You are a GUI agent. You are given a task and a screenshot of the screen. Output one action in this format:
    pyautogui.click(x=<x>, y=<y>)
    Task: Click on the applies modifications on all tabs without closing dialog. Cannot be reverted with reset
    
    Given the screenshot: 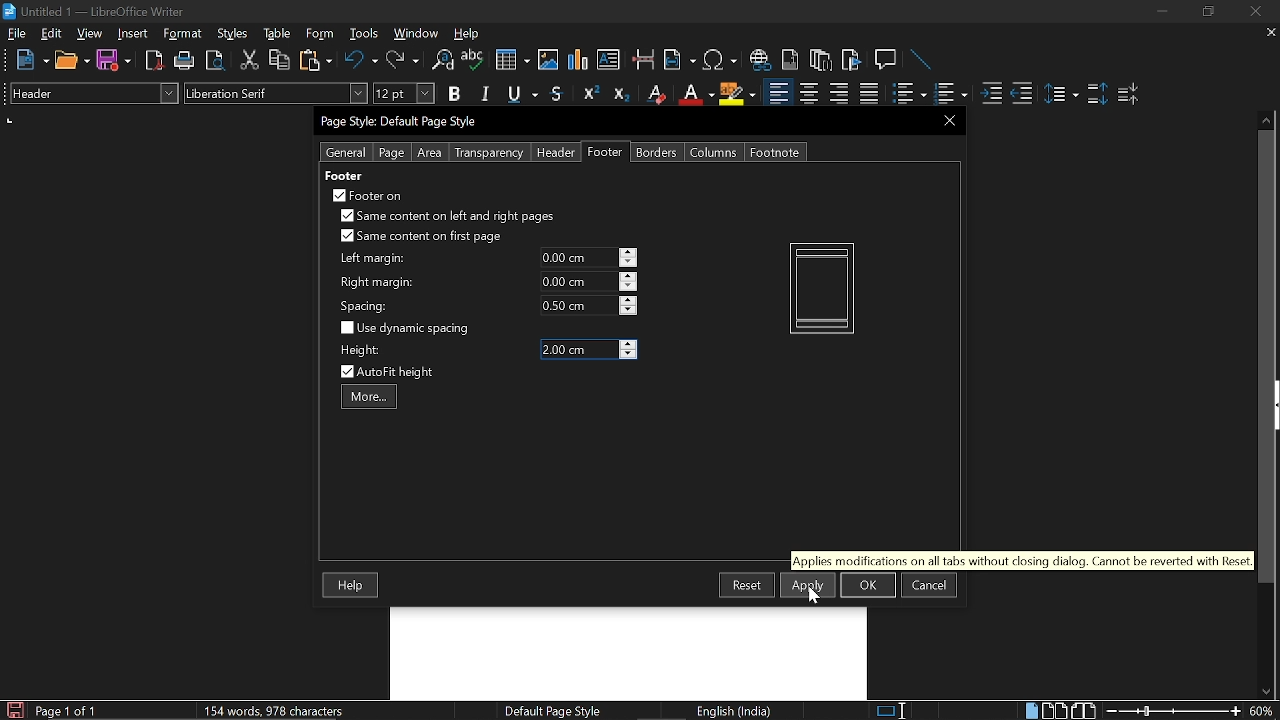 What is the action you would take?
    pyautogui.click(x=1021, y=560)
    